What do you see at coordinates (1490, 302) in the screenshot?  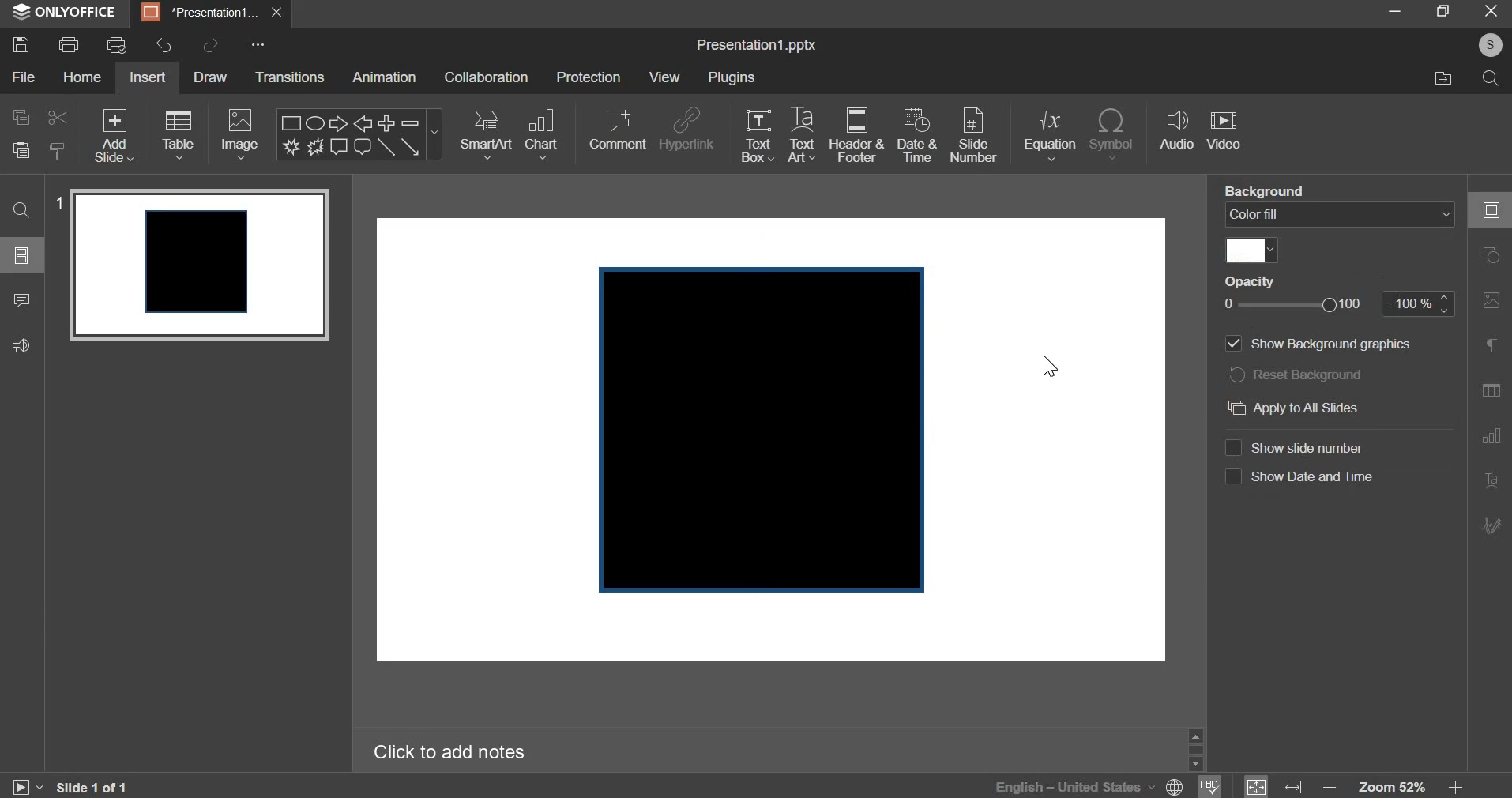 I see `Photos` at bounding box center [1490, 302].